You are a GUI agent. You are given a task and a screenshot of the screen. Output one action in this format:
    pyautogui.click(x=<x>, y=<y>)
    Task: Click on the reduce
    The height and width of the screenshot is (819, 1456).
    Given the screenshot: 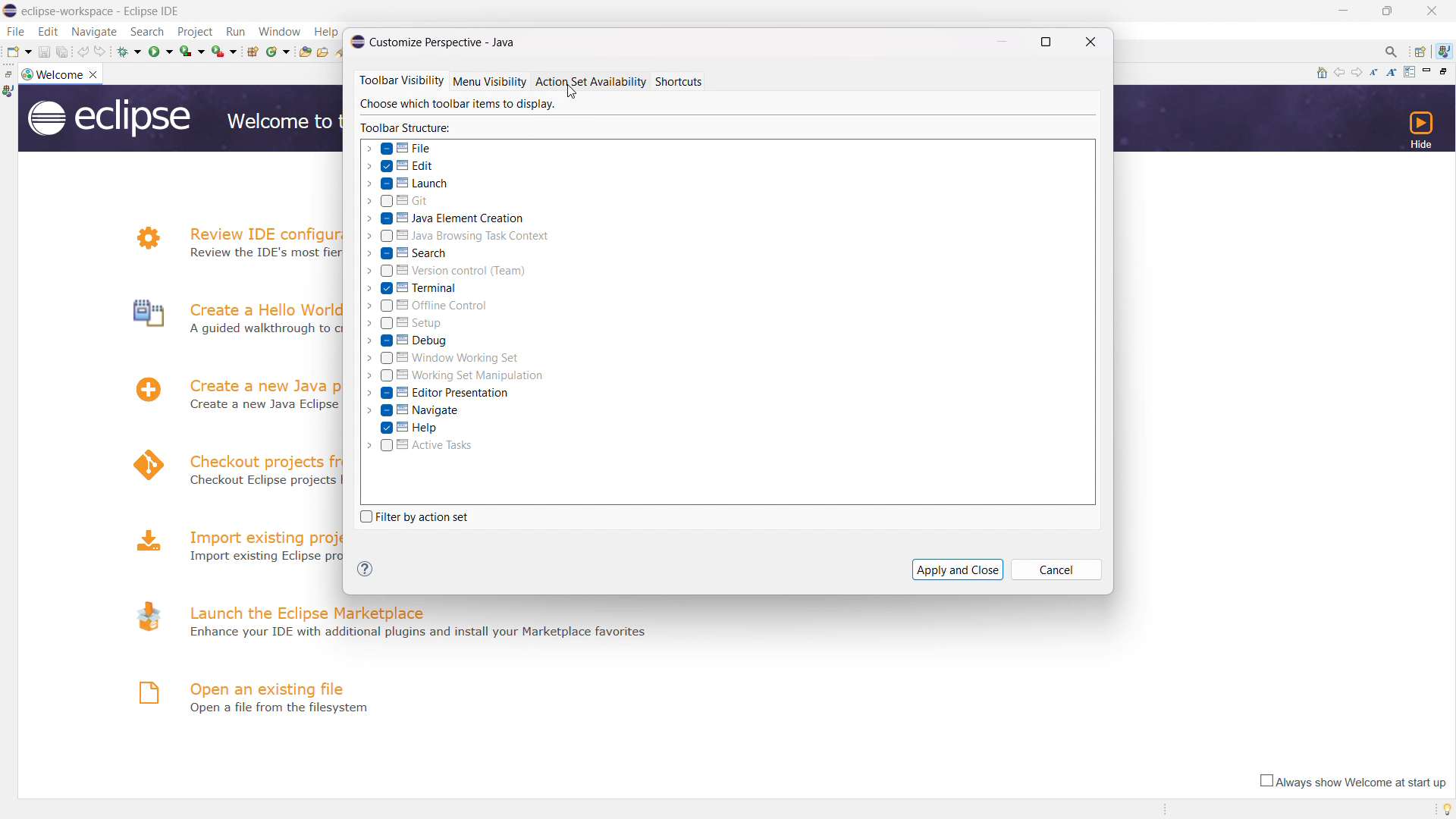 What is the action you would take?
    pyautogui.click(x=1376, y=72)
    